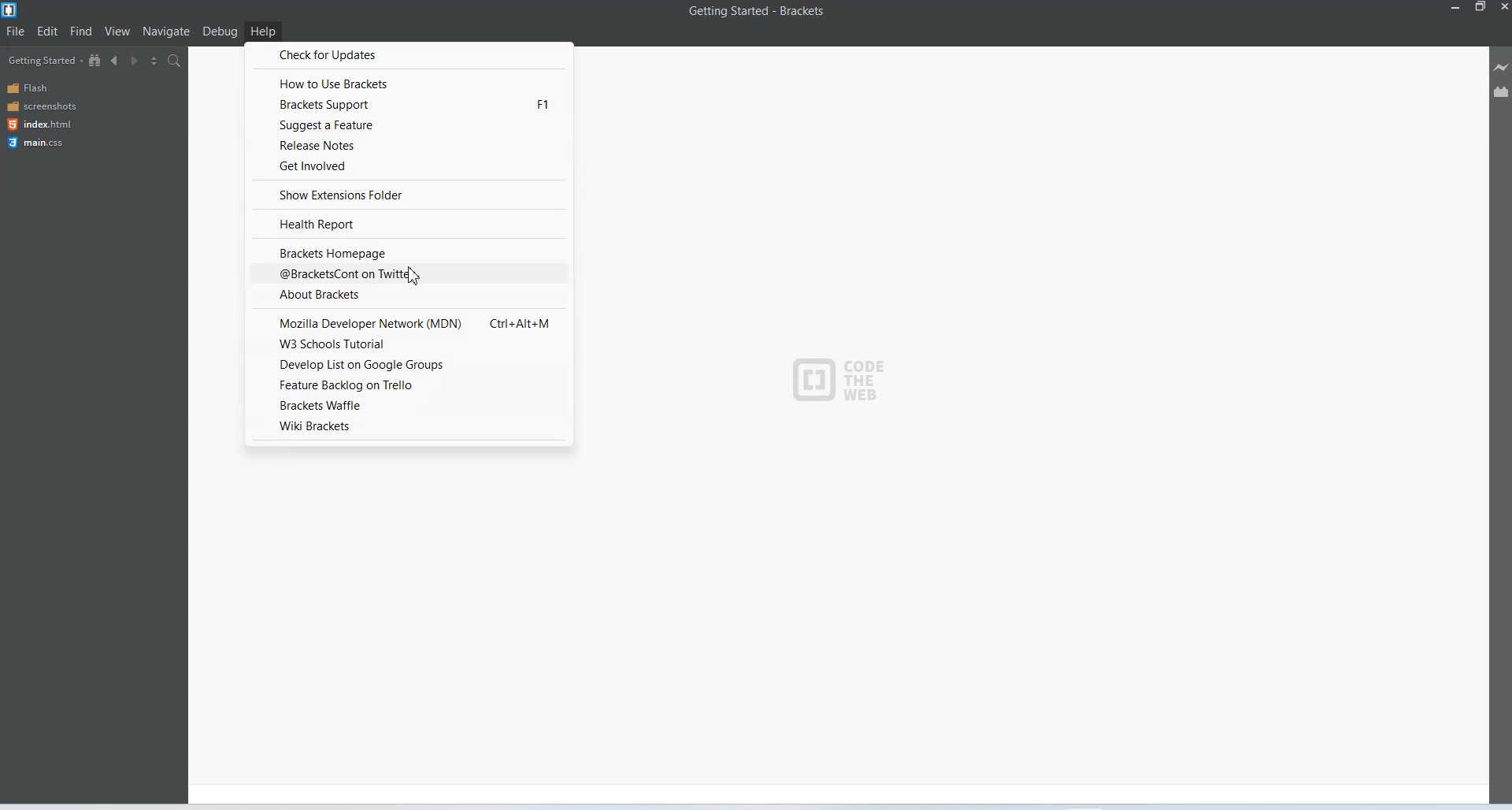  What do you see at coordinates (836, 377) in the screenshot?
I see `Logo` at bounding box center [836, 377].